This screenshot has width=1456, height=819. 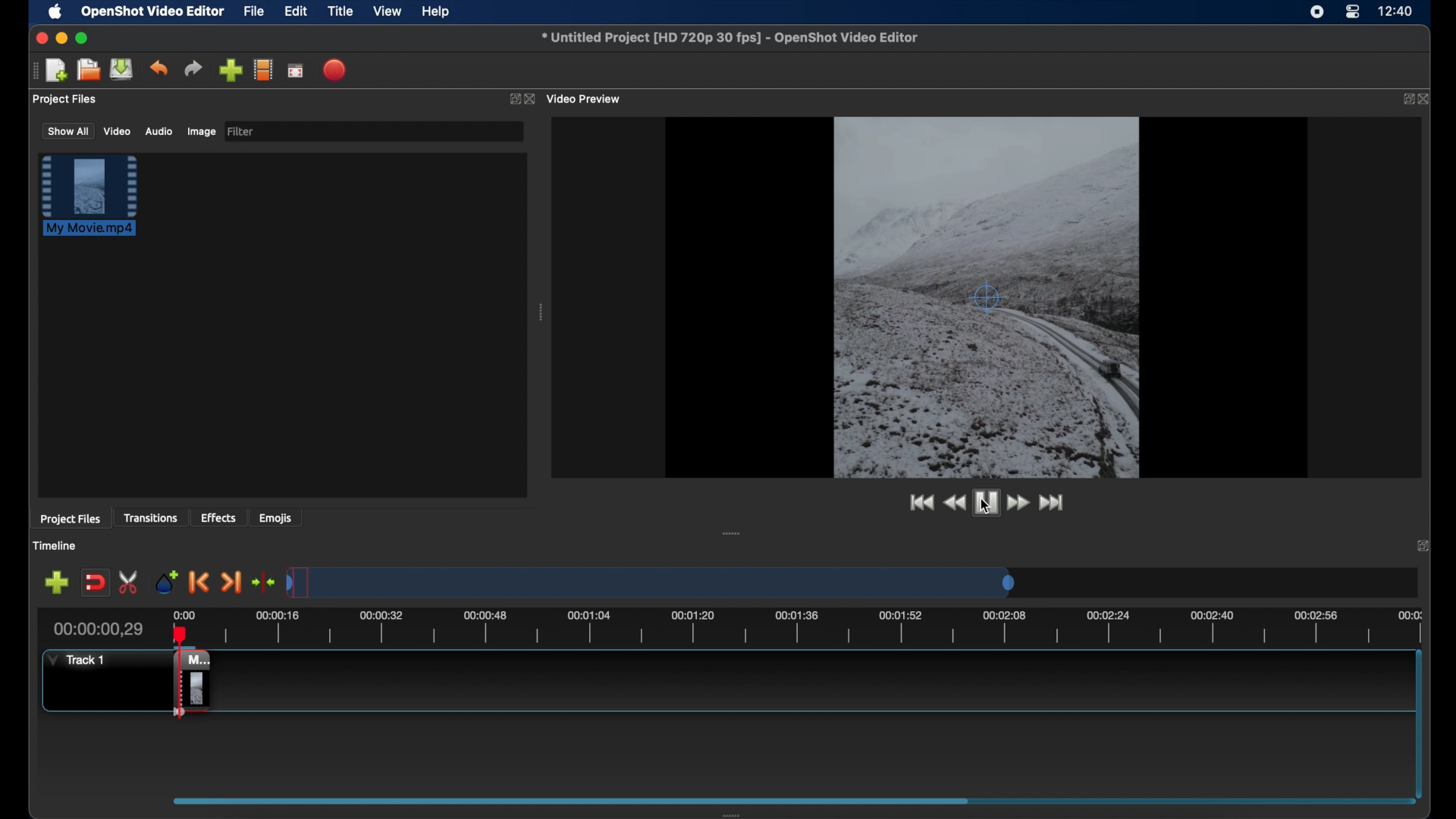 What do you see at coordinates (121, 69) in the screenshot?
I see `save project` at bounding box center [121, 69].